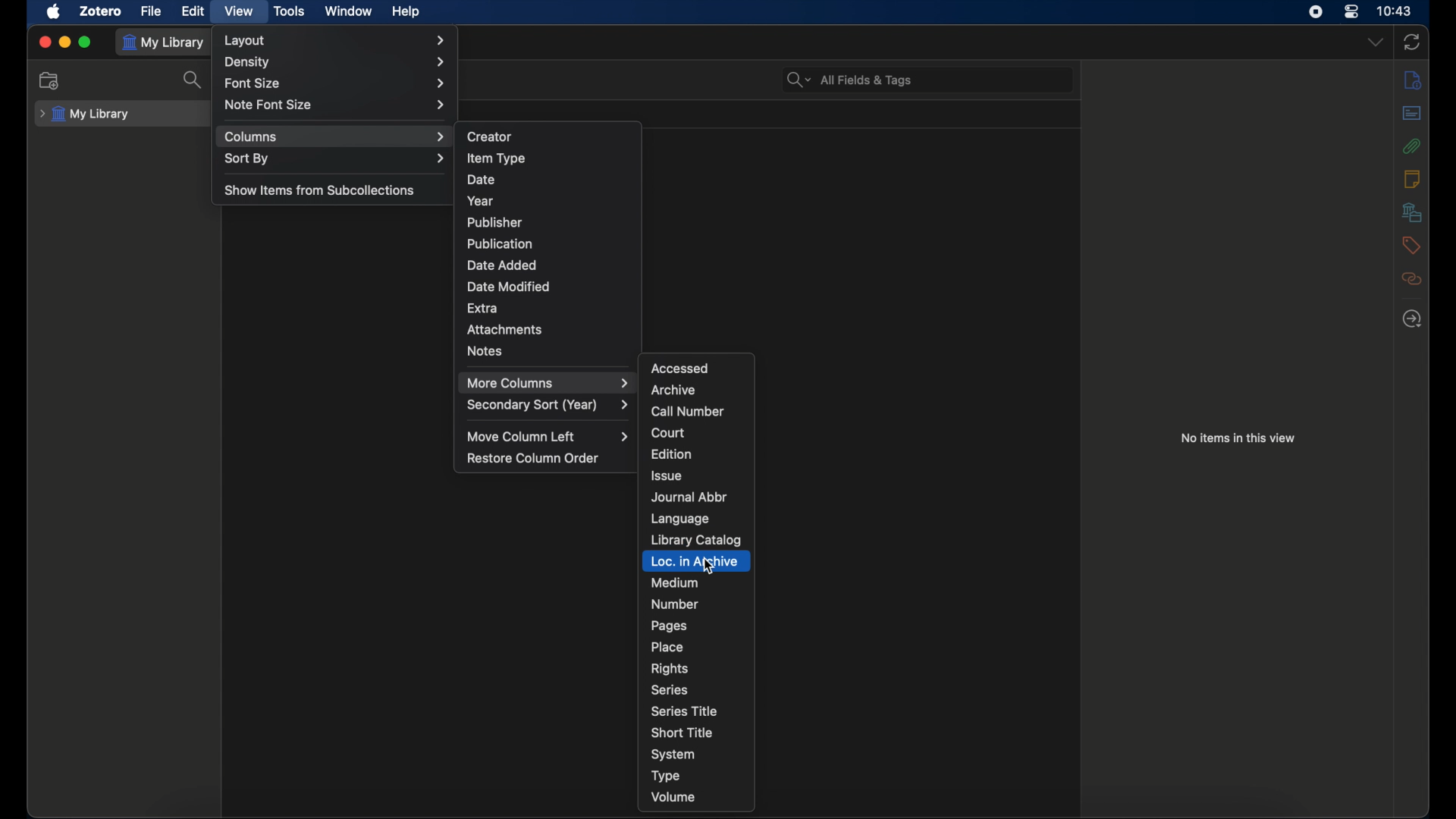  What do you see at coordinates (682, 733) in the screenshot?
I see `short title` at bounding box center [682, 733].